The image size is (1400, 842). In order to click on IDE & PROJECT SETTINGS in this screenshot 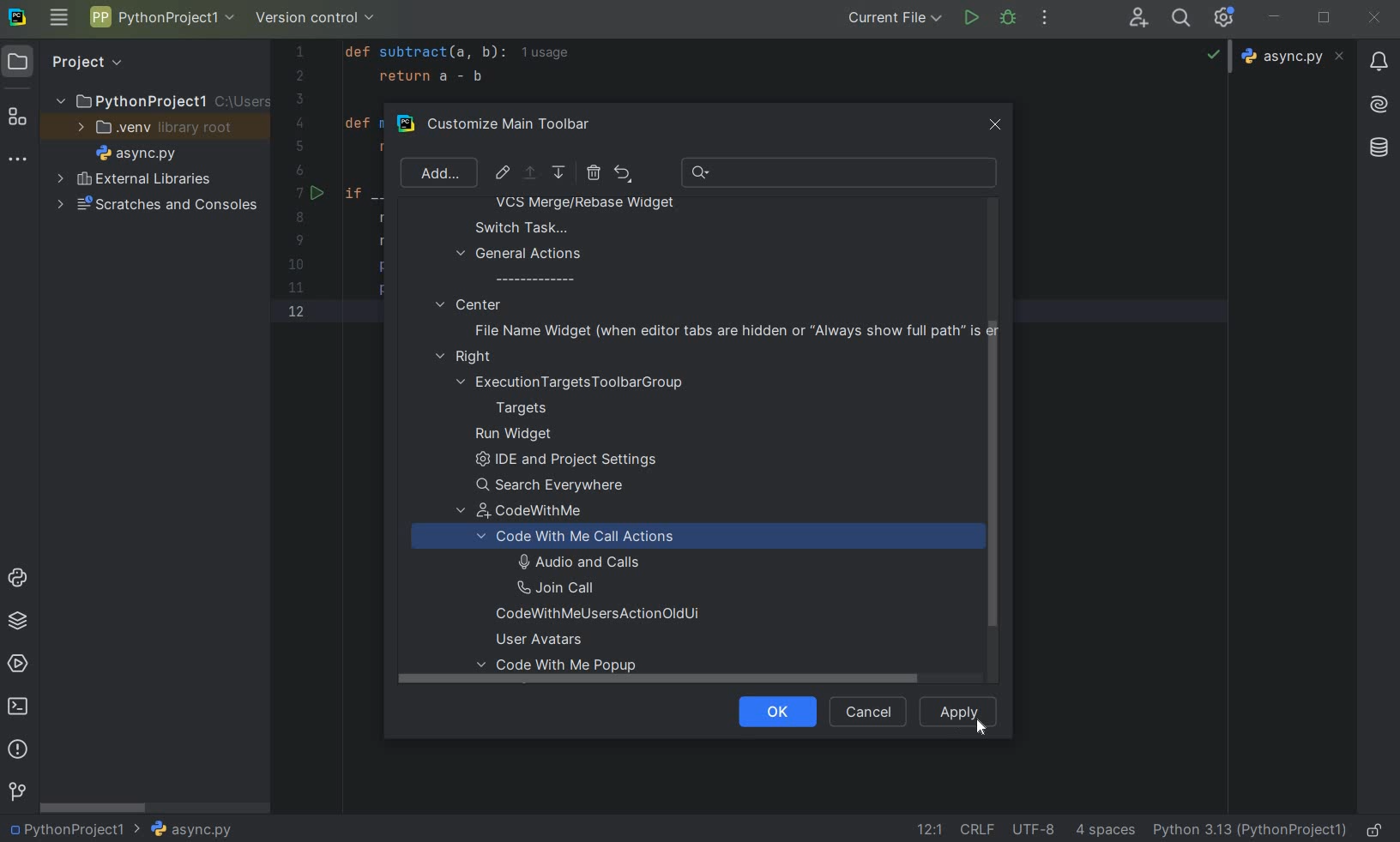, I will do `click(1228, 19)`.